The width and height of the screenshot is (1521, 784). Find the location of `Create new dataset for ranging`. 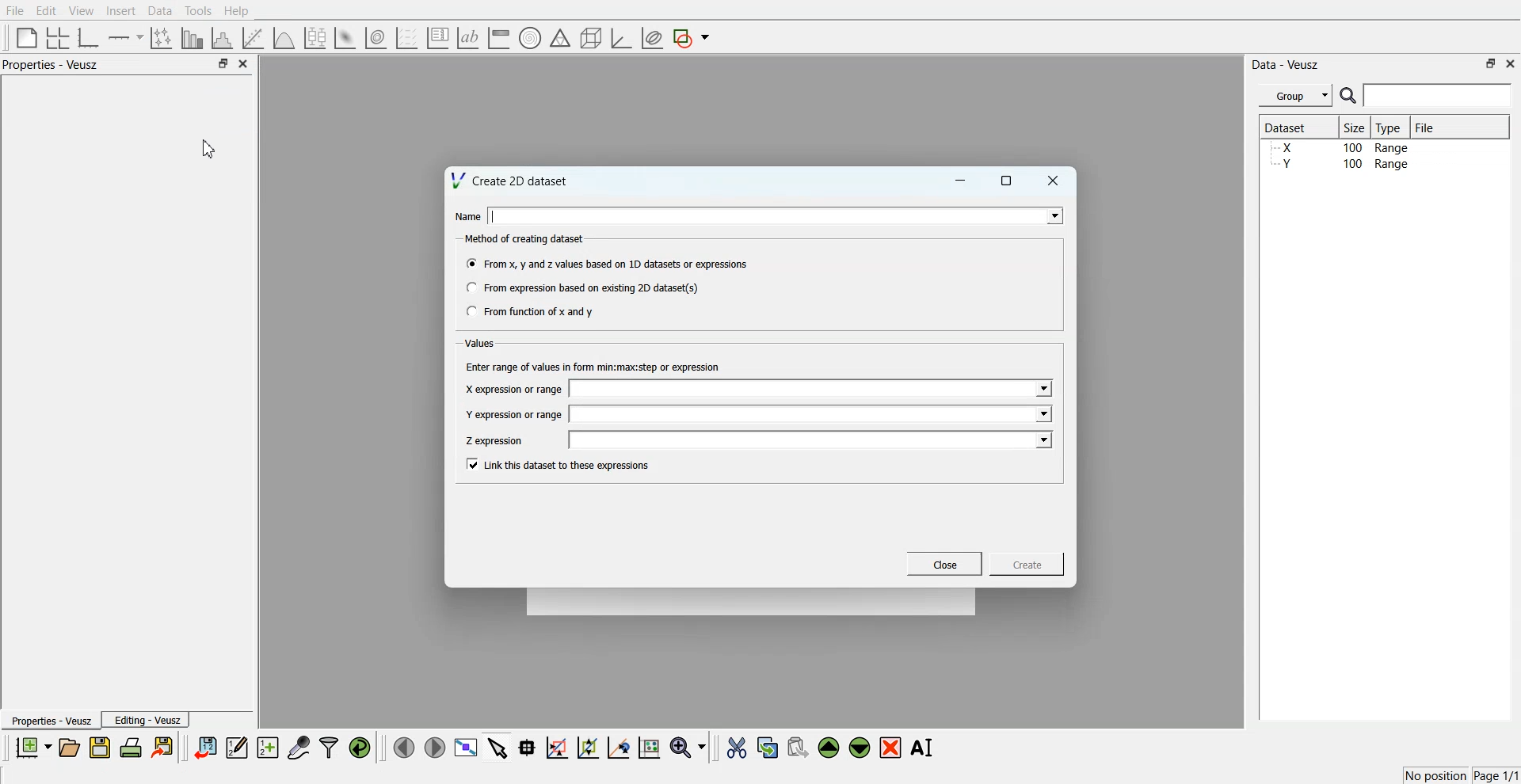

Create new dataset for ranging is located at coordinates (267, 748).